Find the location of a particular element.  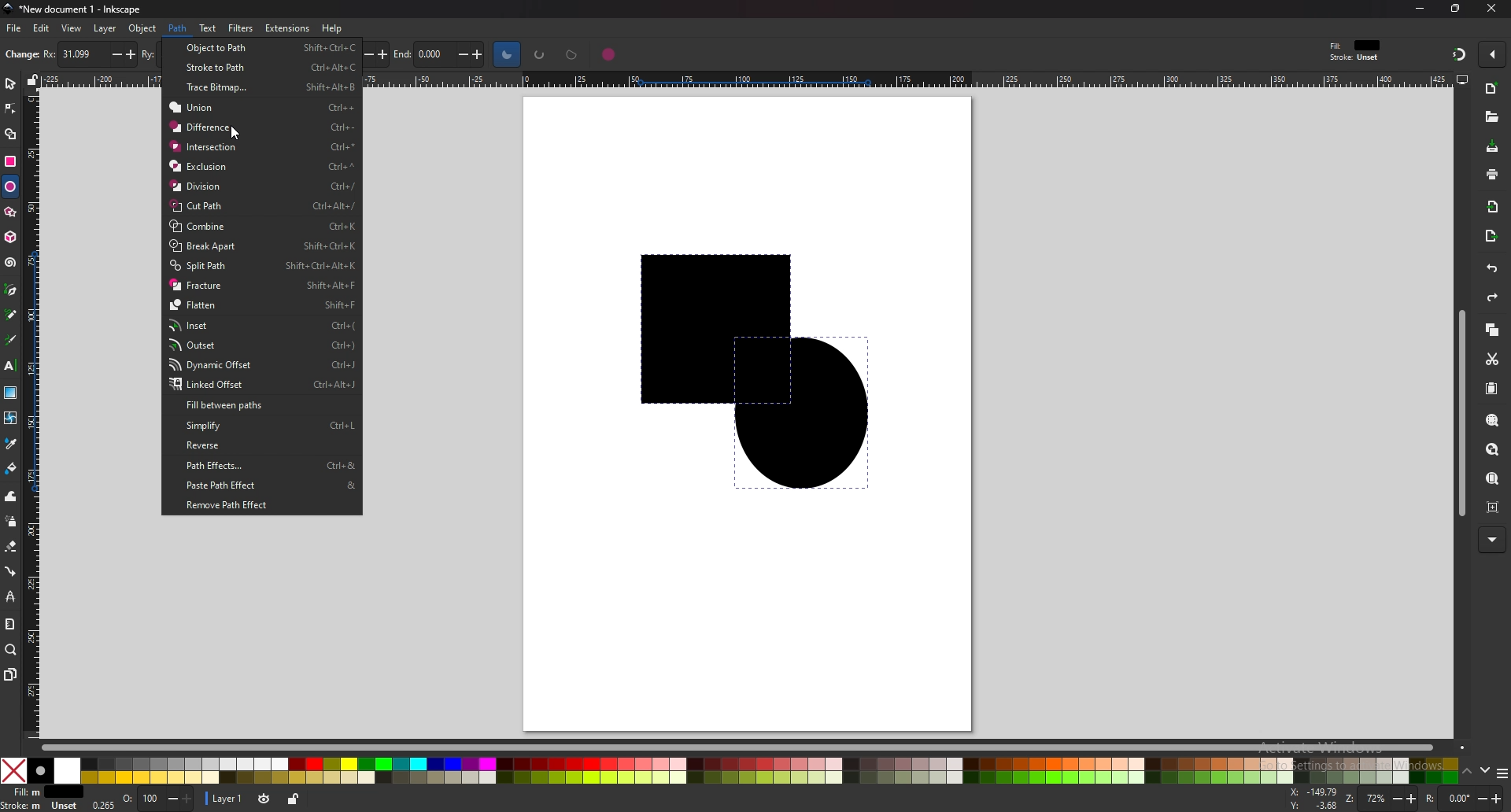

zoom is located at coordinates (1382, 799).